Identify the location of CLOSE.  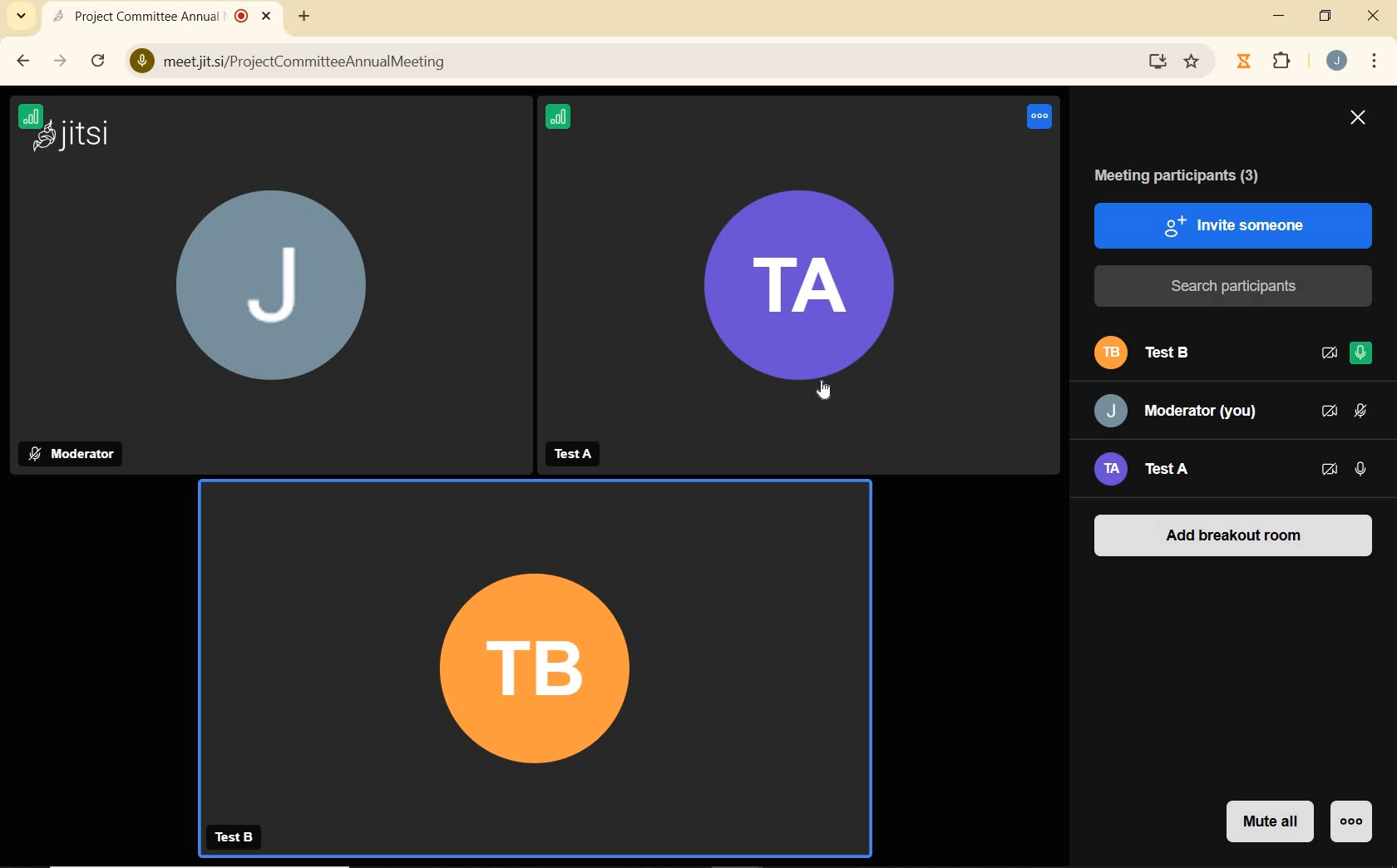
(1375, 16).